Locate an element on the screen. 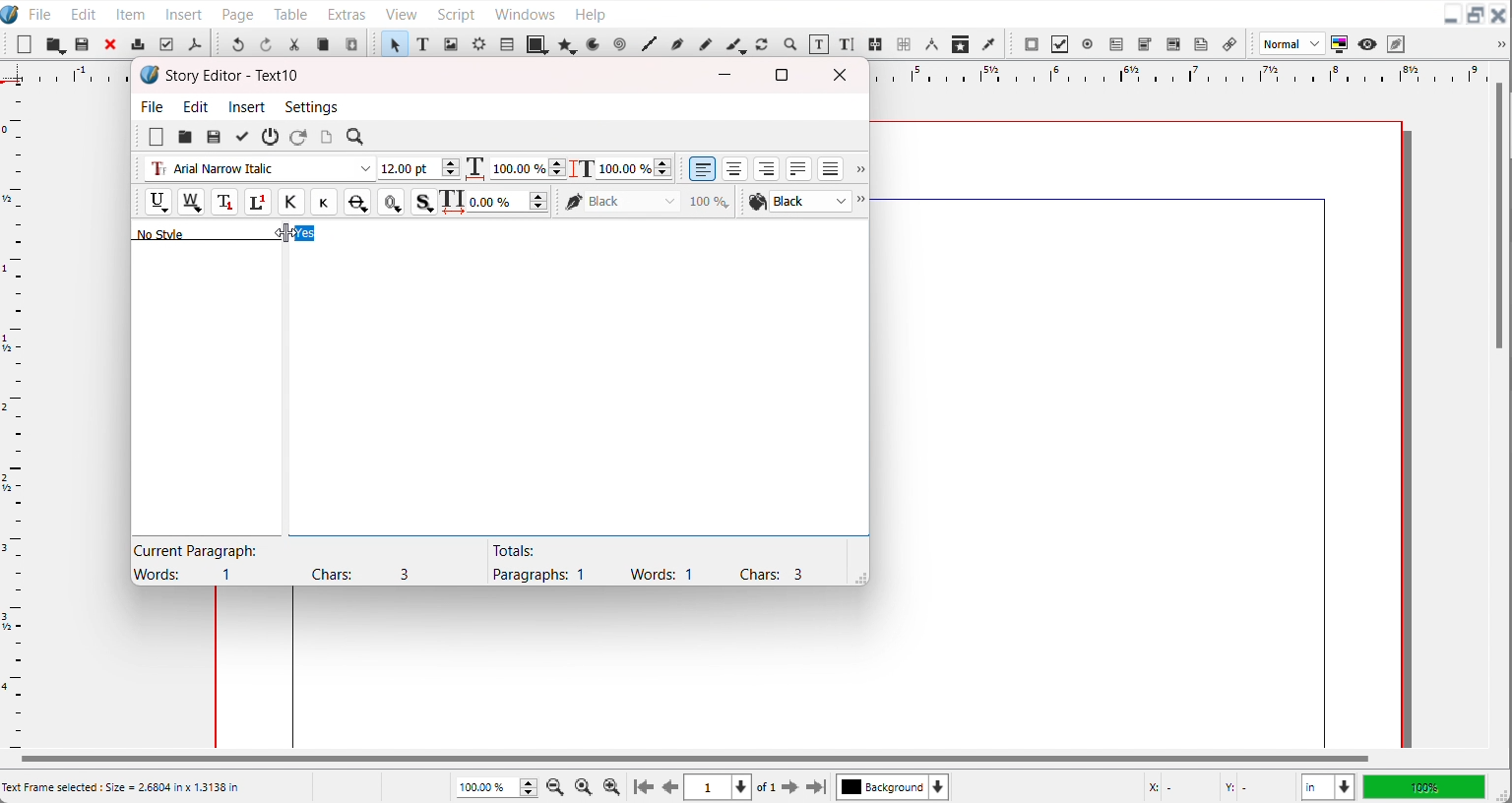 This screenshot has height=803, width=1512. Minimize is located at coordinates (725, 75).